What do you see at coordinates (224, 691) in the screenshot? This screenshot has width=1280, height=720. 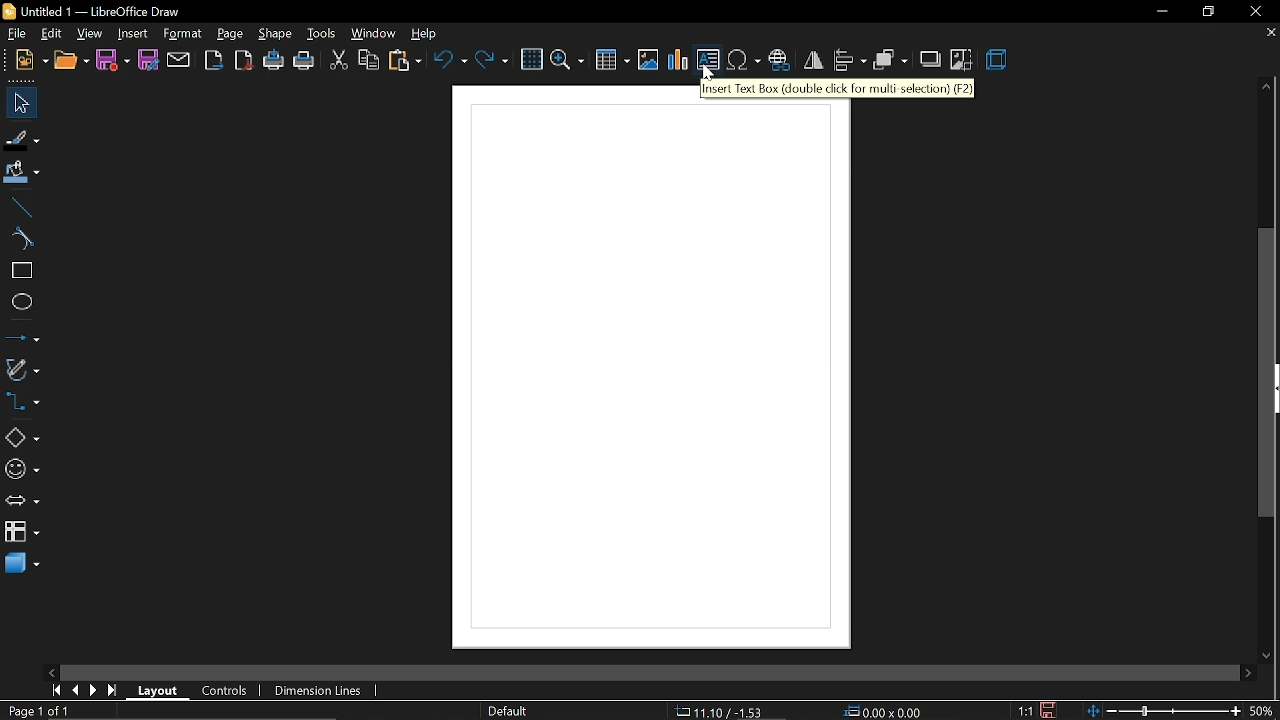 I see `controls` at bounding box center [224, 691].